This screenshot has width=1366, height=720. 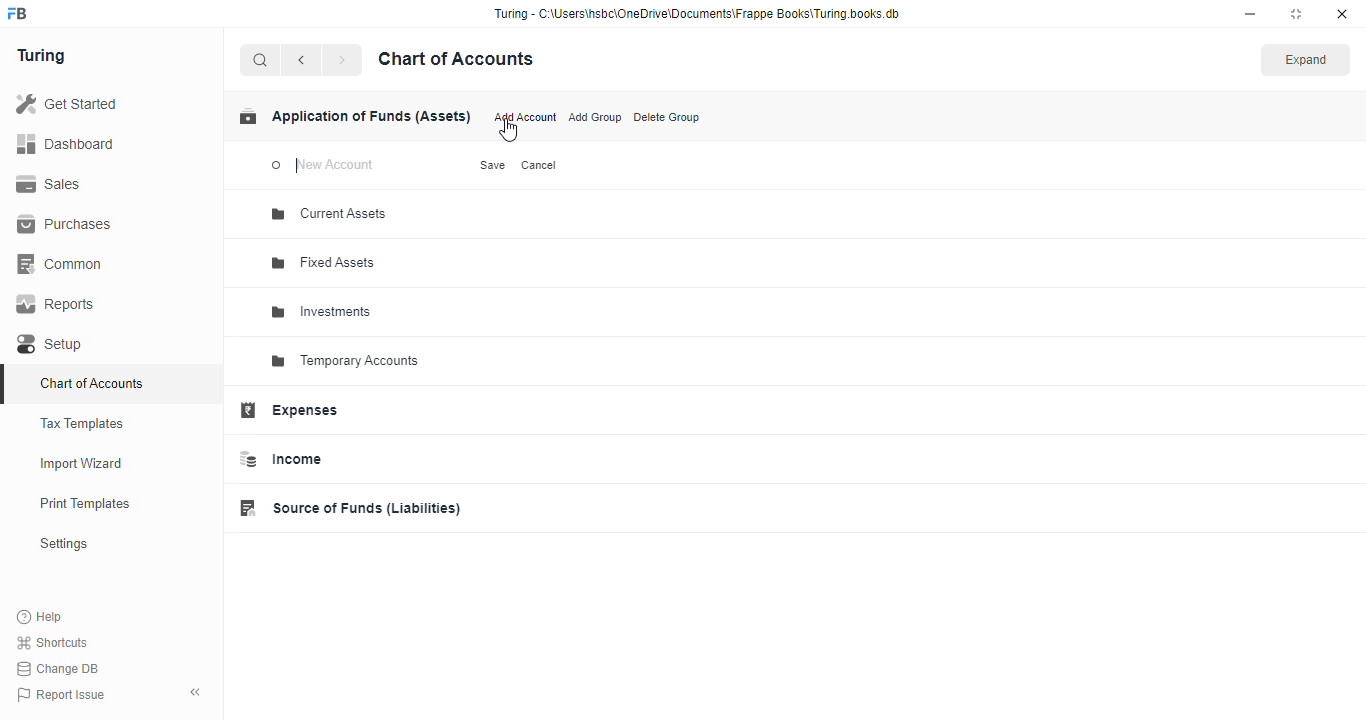 I want to click on current assets, so click(x=329, y=213).